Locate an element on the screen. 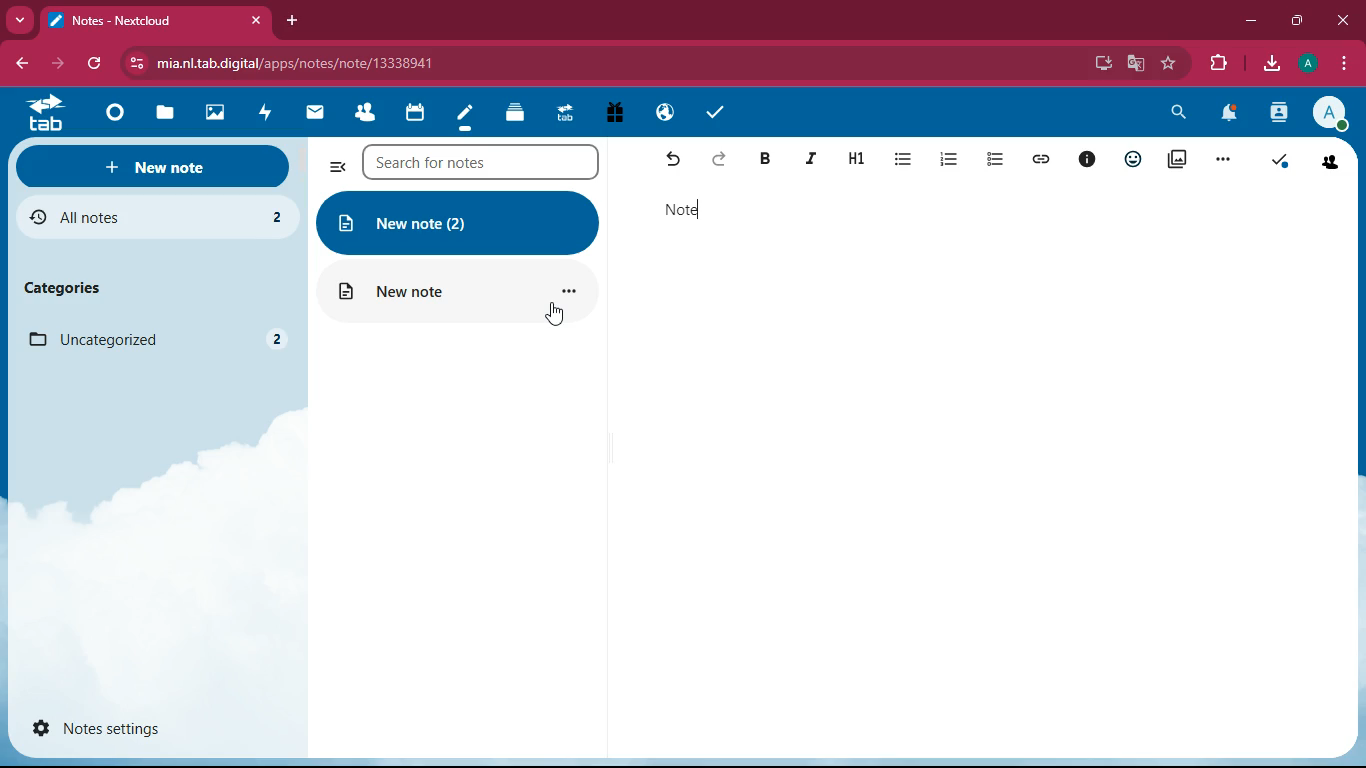 This screenshot has width=1366, height=768. more is located at coordinates (335, 165).